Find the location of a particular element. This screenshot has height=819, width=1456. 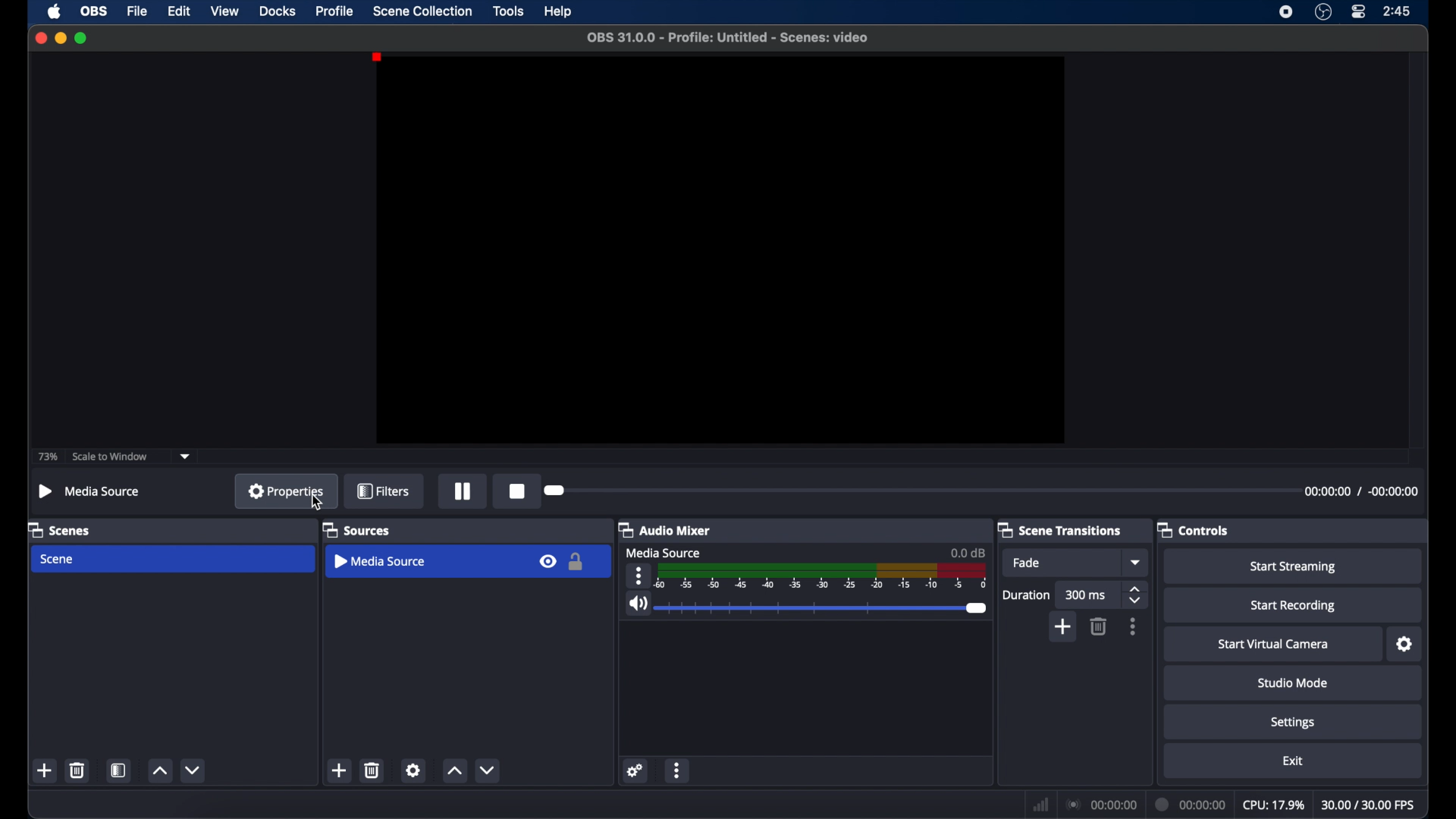

tools is located at coordinates (509, 11).